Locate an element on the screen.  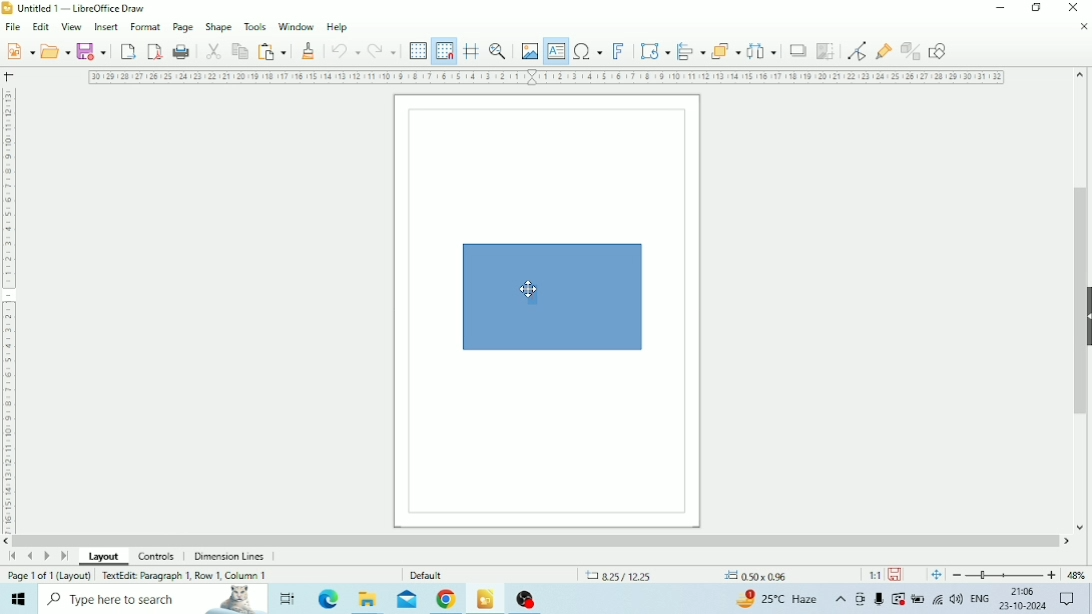
Fit page to current window is located at coordinates (936, 575).